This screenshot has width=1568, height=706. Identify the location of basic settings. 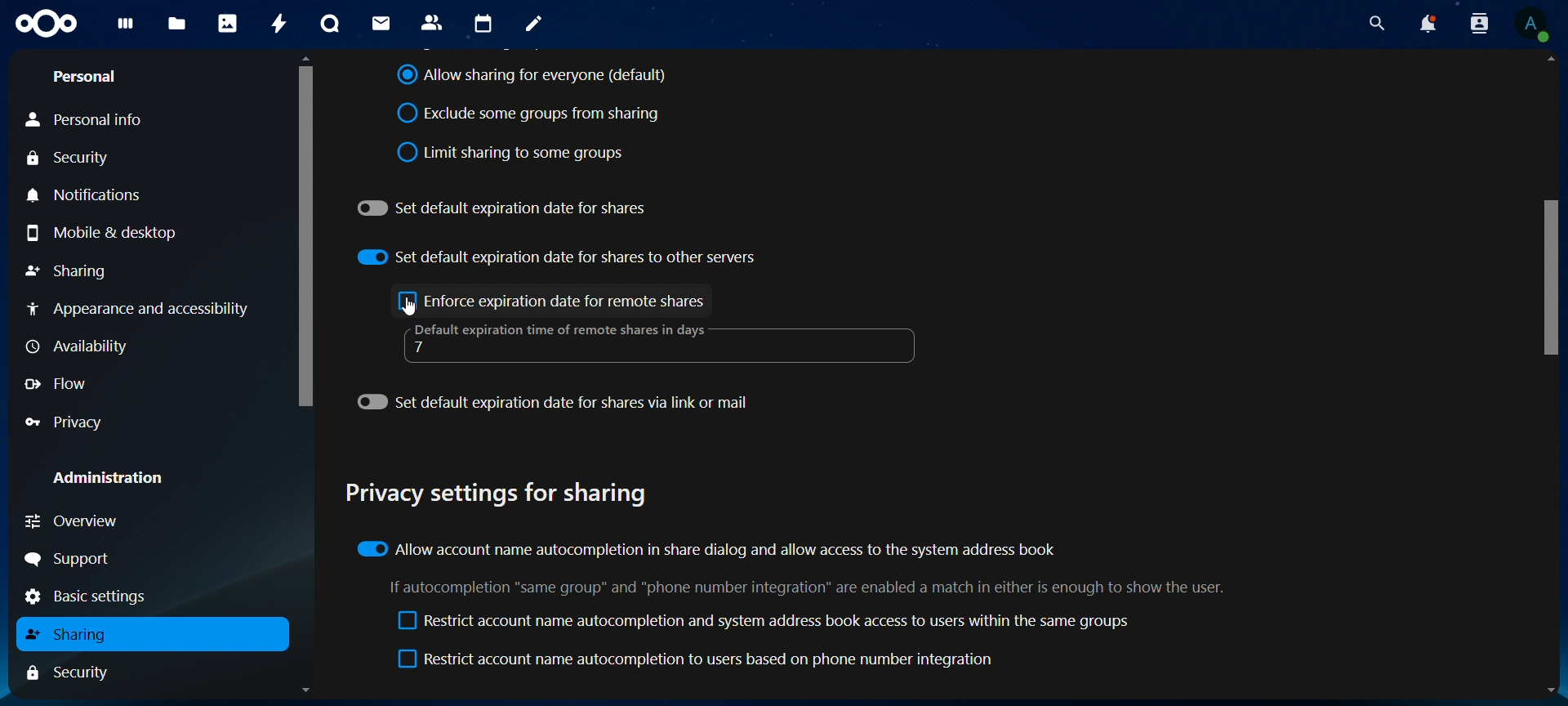
(92, 597).